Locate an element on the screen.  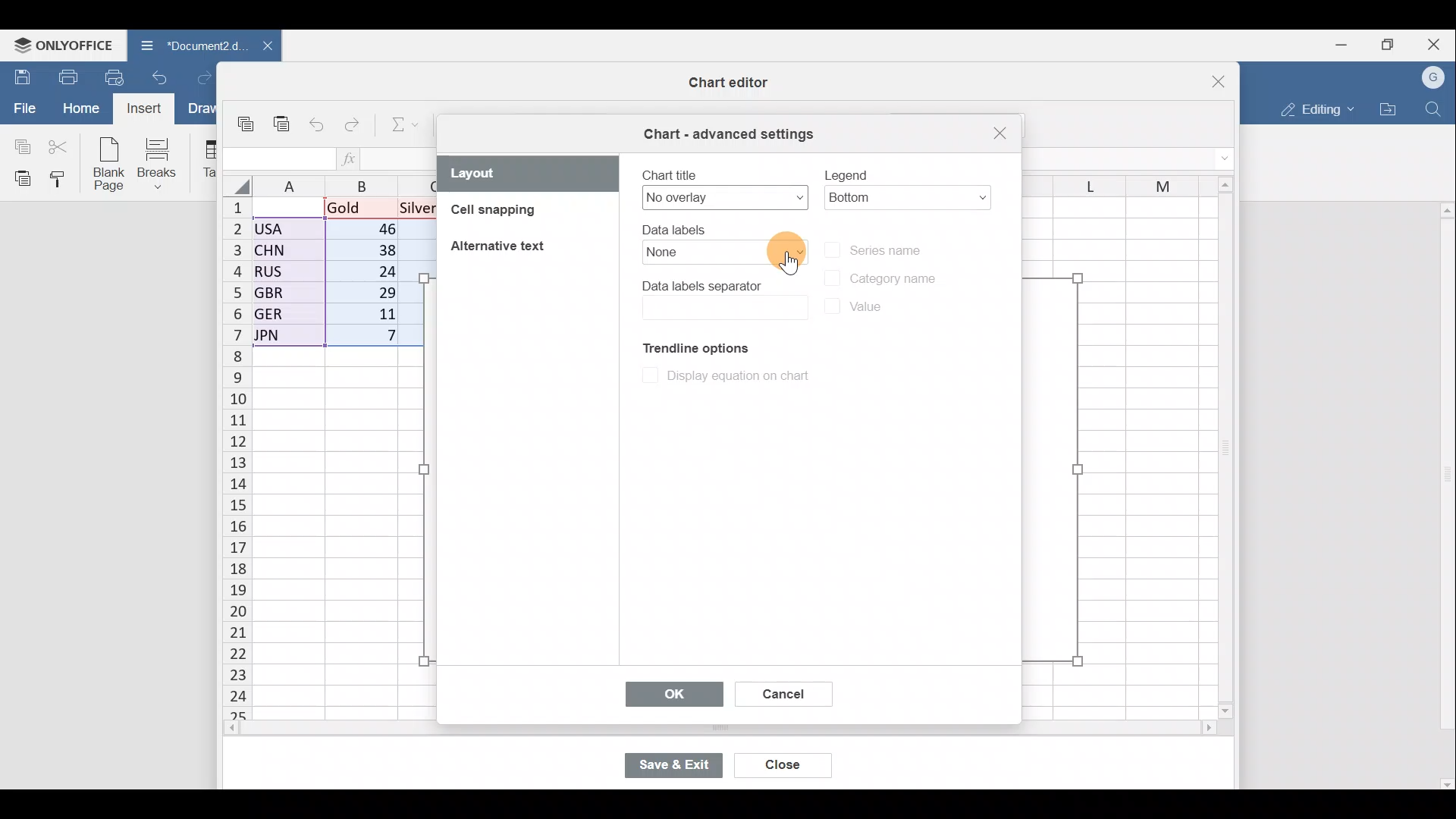
Layout is located at coordinates (529, 174).